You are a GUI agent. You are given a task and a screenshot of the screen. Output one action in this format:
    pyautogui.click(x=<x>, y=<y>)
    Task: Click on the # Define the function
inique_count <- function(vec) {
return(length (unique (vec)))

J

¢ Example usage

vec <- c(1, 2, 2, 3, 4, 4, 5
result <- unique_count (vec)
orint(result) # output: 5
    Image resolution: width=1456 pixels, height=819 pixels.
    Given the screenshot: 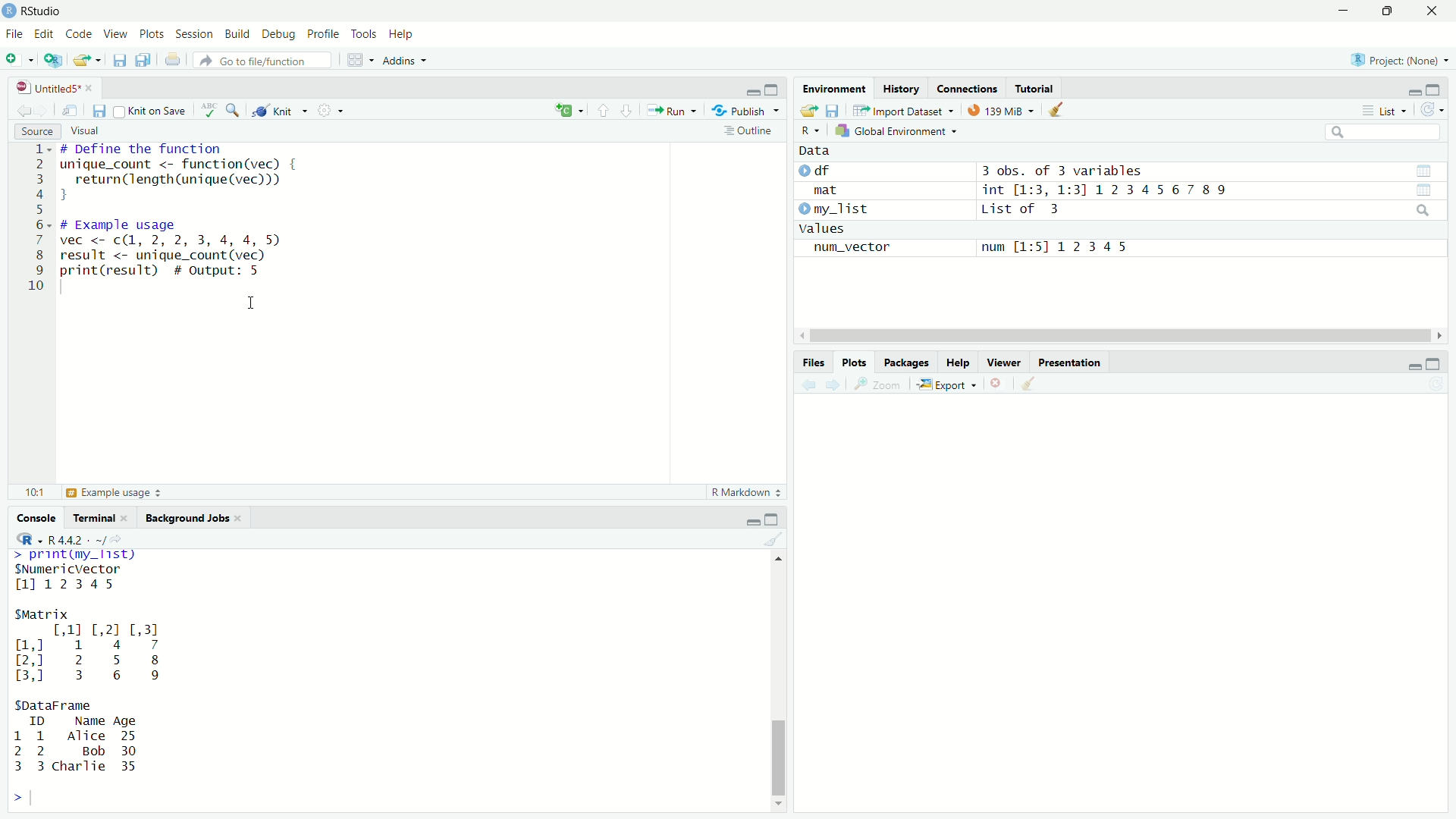 What is the action you would take?
    pyautogui.click(x=177, y=215)
    